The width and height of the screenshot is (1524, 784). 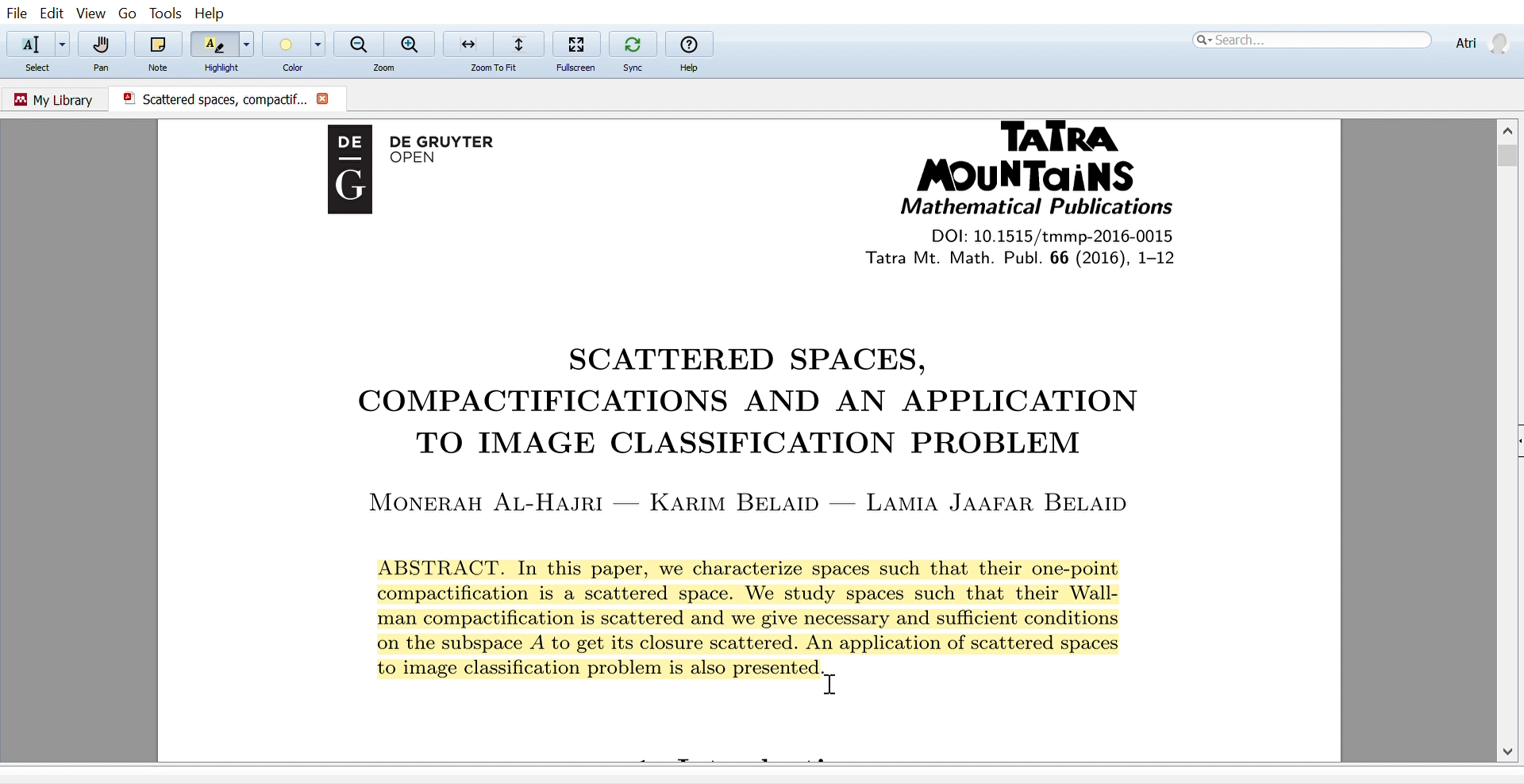 I want to click on Search, so click(x=1310, y=40).